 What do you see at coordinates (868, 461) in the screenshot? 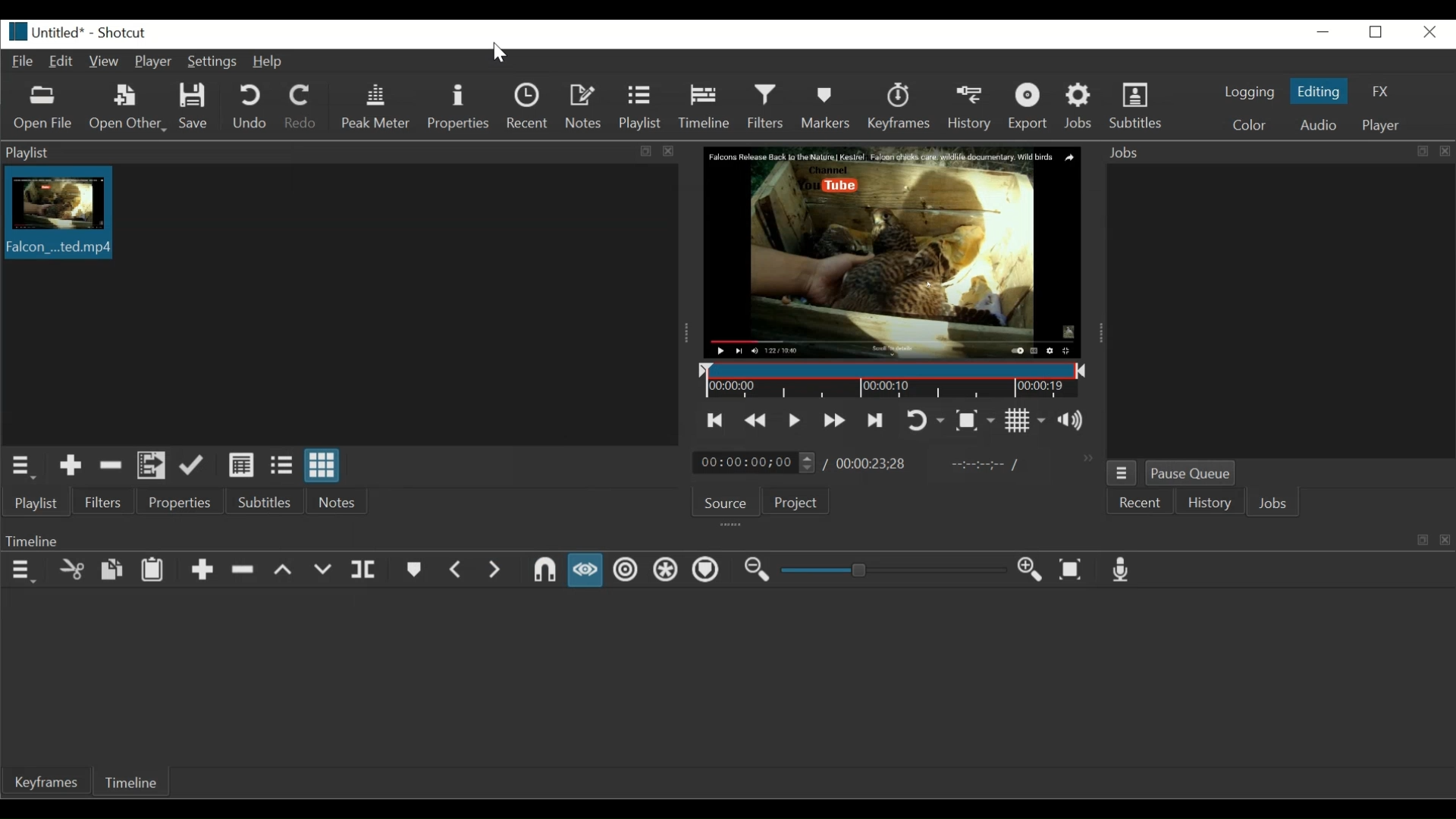
I see `/00:00:23:28(Total Duration)` at bounding box center [868, 461].